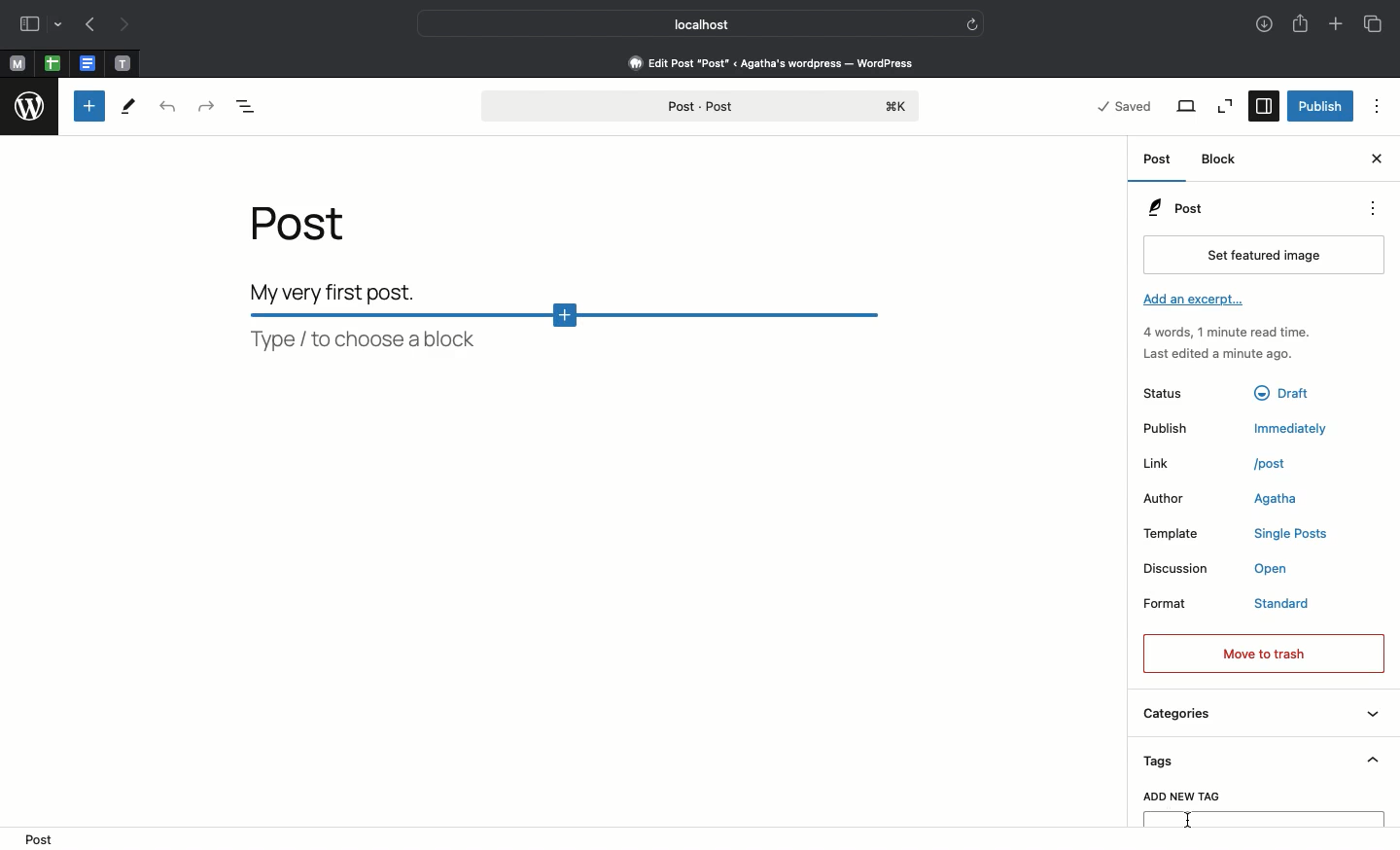 The height and width of the screenshot is (850, 1400). What do you see at coordinates (1275, 496) in the screenshot?
I see `Agatha` at bounding box center [1275, 496].